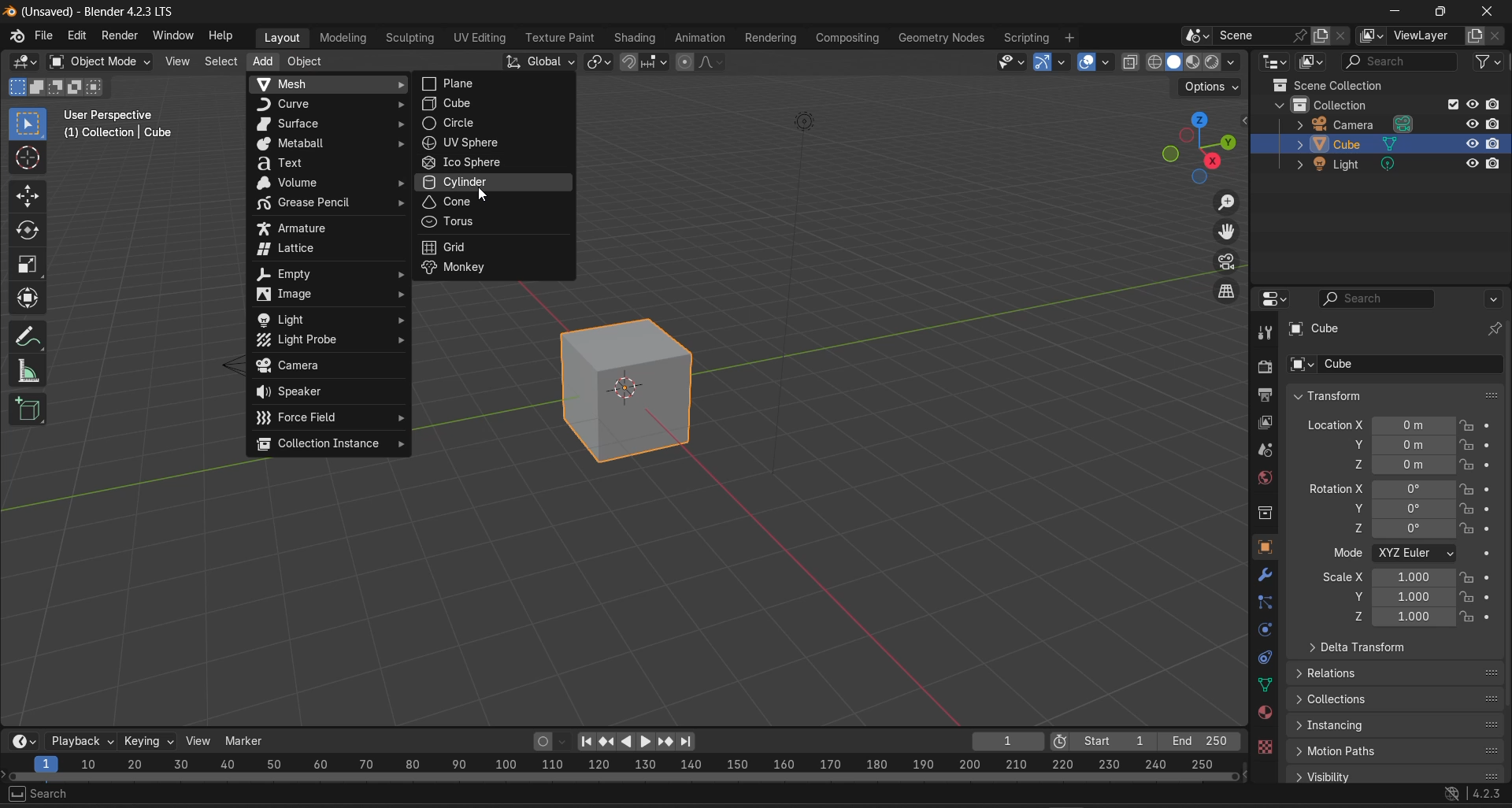 Image resolution: width=1512 pixels, height=808 pixels. I want to click on grid, so click(492, 246).